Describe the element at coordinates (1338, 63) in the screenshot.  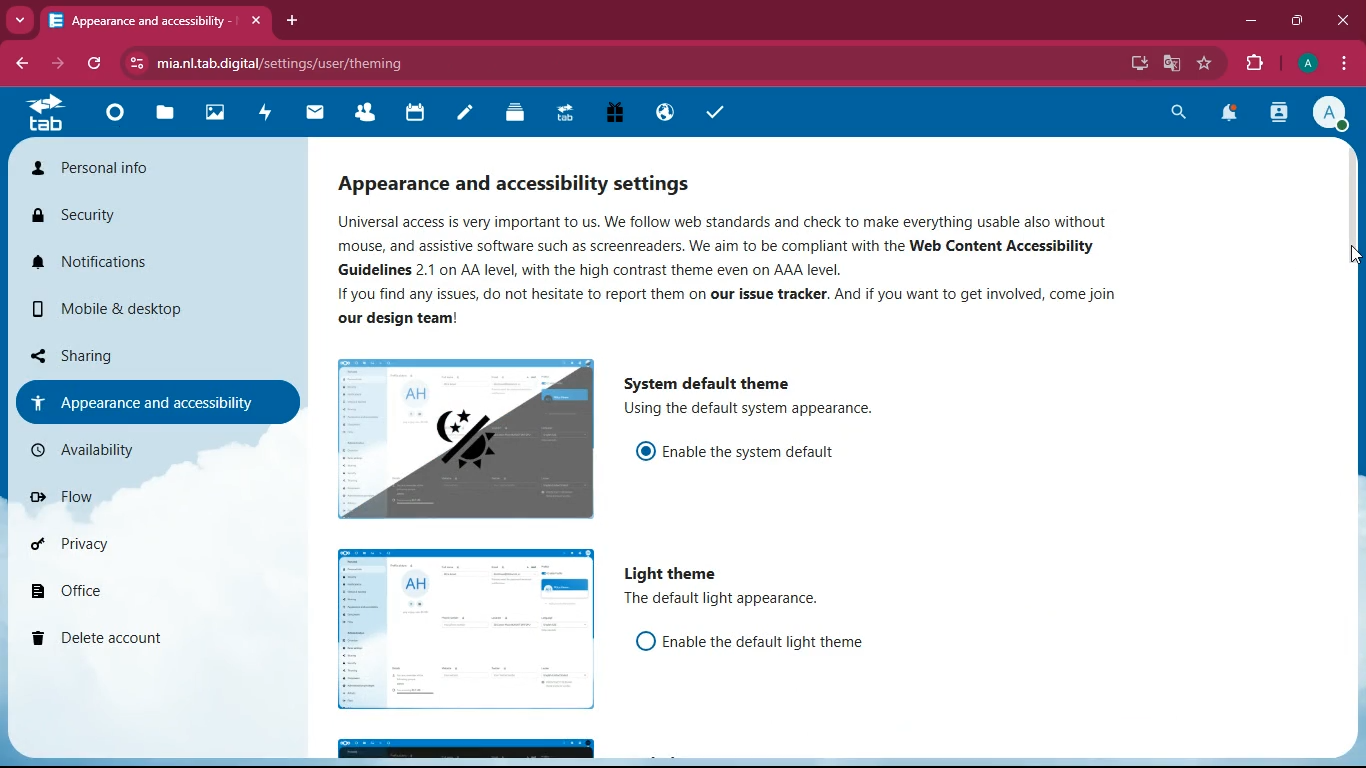
I see `menu` at that location.